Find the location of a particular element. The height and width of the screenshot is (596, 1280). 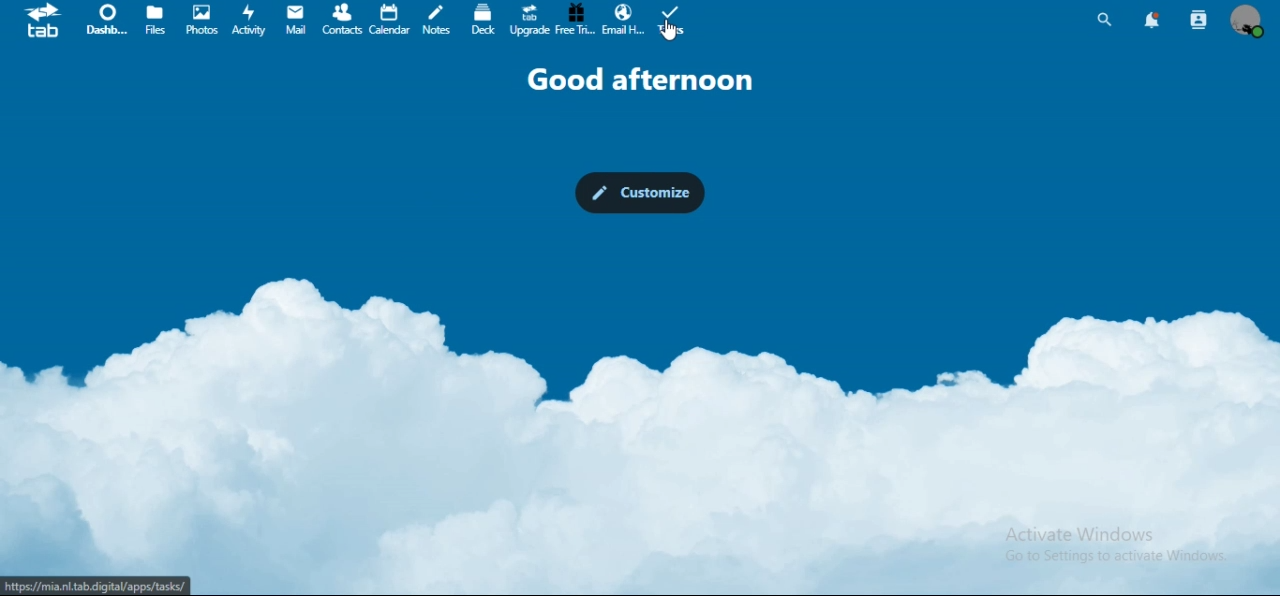

icon is located at coordinates (49, 21).